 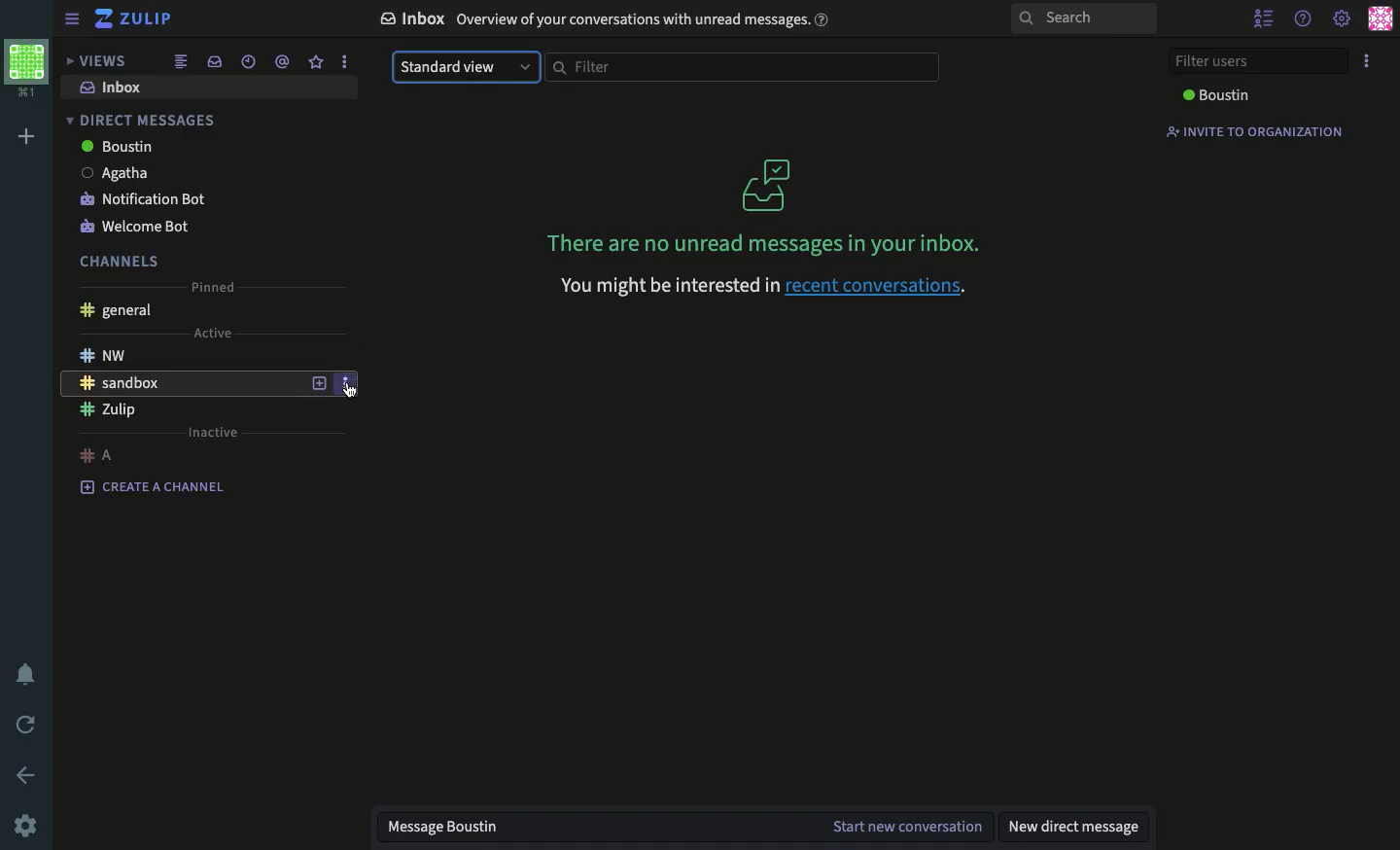 What do you see at coordinates (1251, 130) in the screenshot?
I see `invite to organization` at bounding box center [1251, 130].